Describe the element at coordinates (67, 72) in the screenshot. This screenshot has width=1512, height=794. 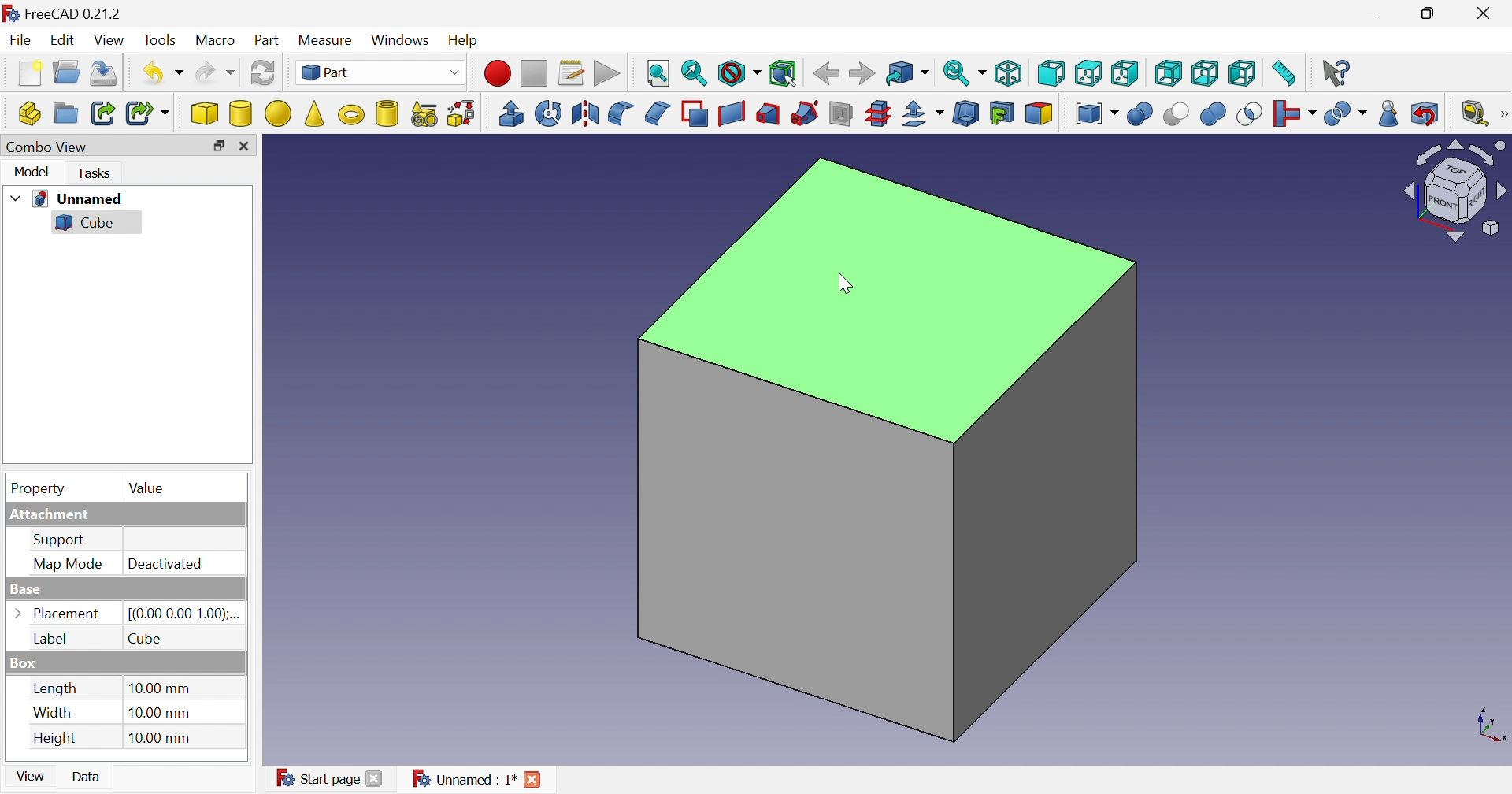
I see `Open` at that location.